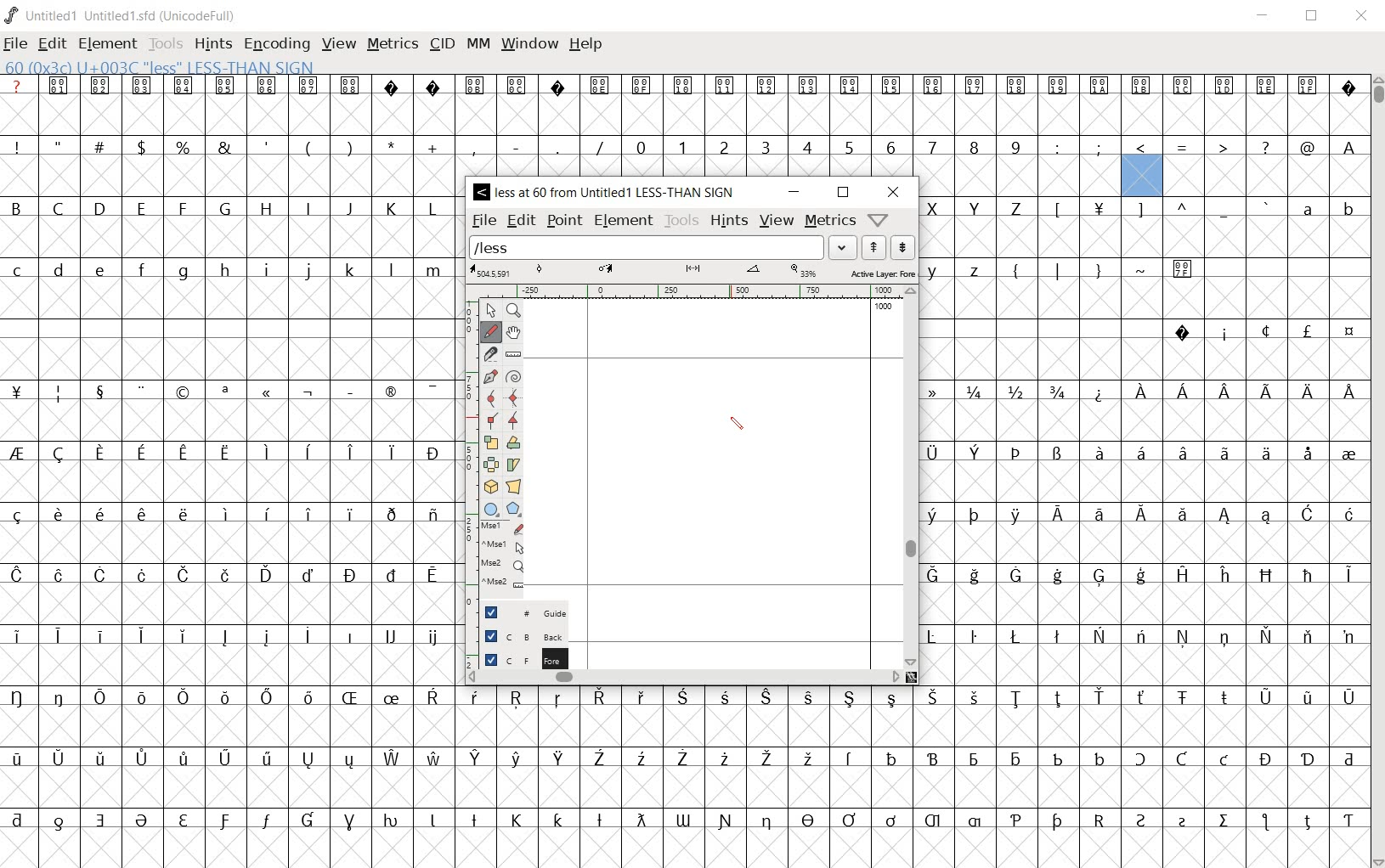  What do you see at coordinates (490, 487) in the screenshot?
I see `rotate the selection in 3D and project back to plane` at bounding box center [490, 487].